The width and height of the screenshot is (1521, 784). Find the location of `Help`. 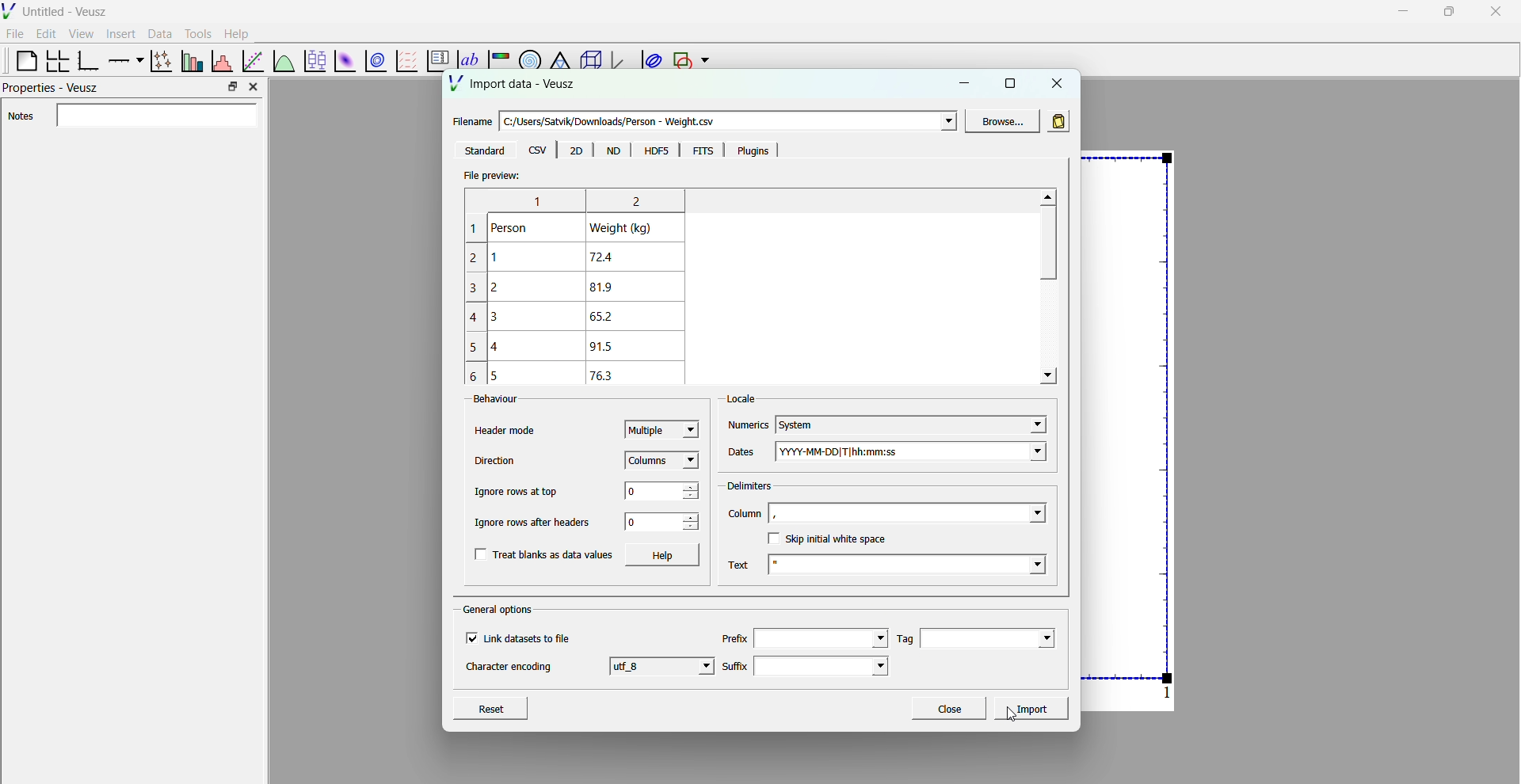

Help is located at coordinates (665, 555).